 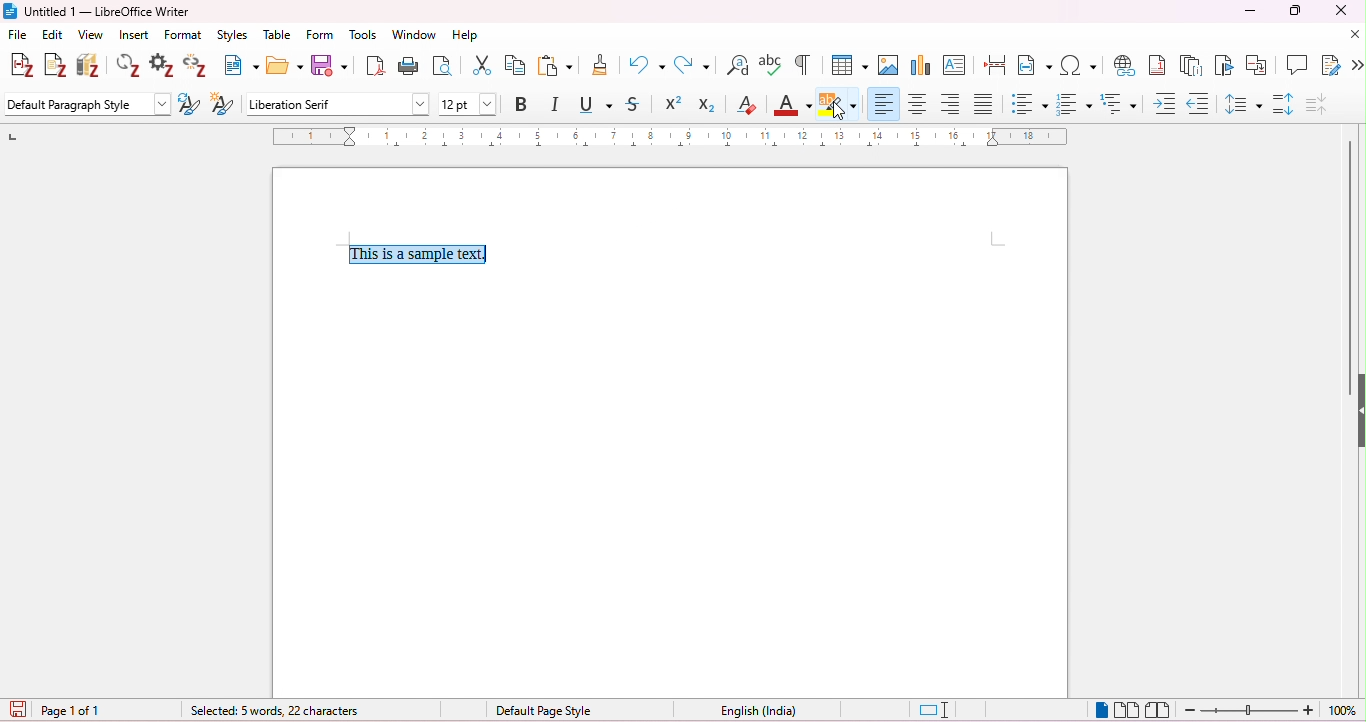 I want to click on form, so click(x=322, y=36).